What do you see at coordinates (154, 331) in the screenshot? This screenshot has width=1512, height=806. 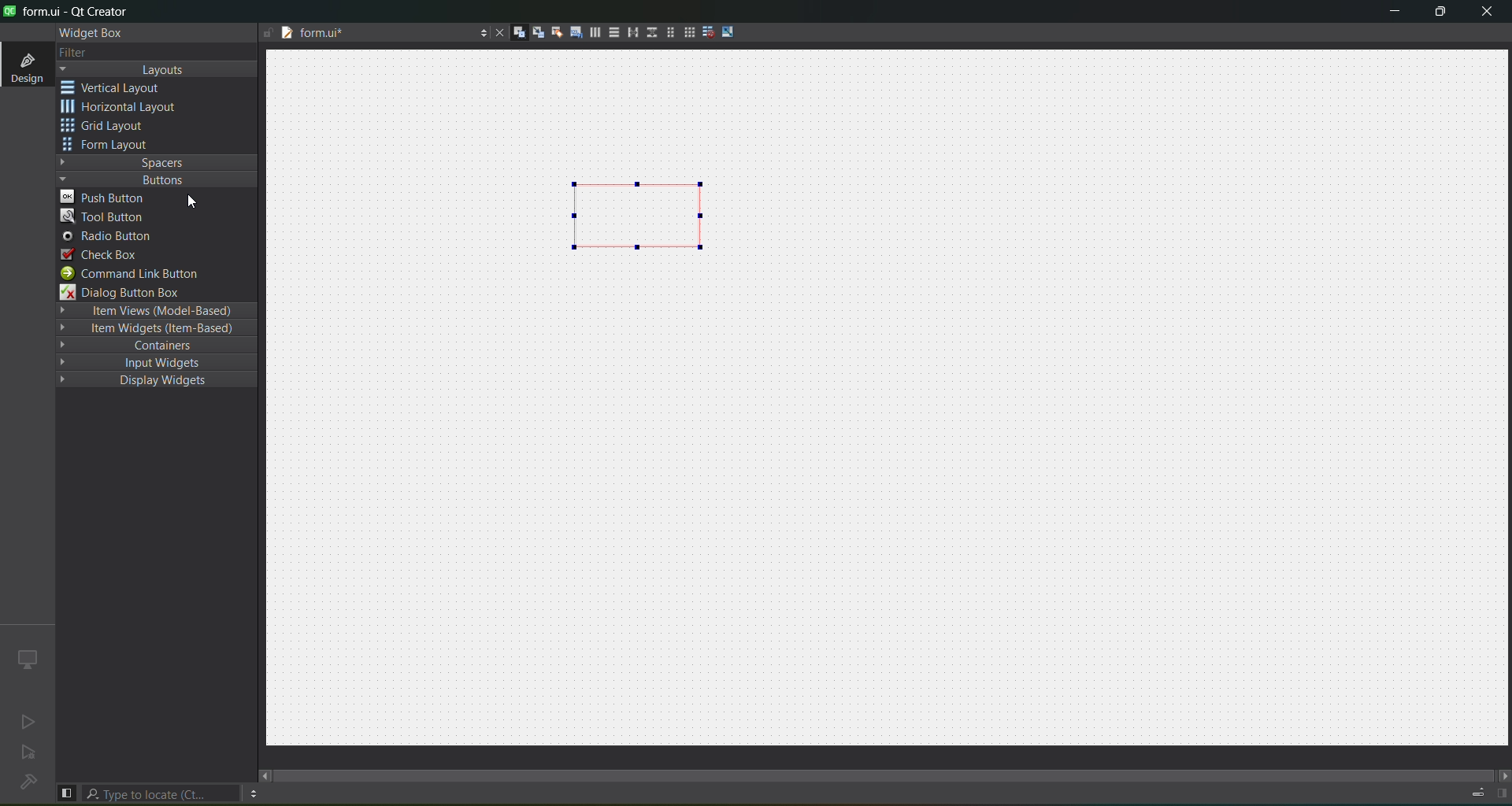 I see `item widgets` at bounding box center [154, 331].